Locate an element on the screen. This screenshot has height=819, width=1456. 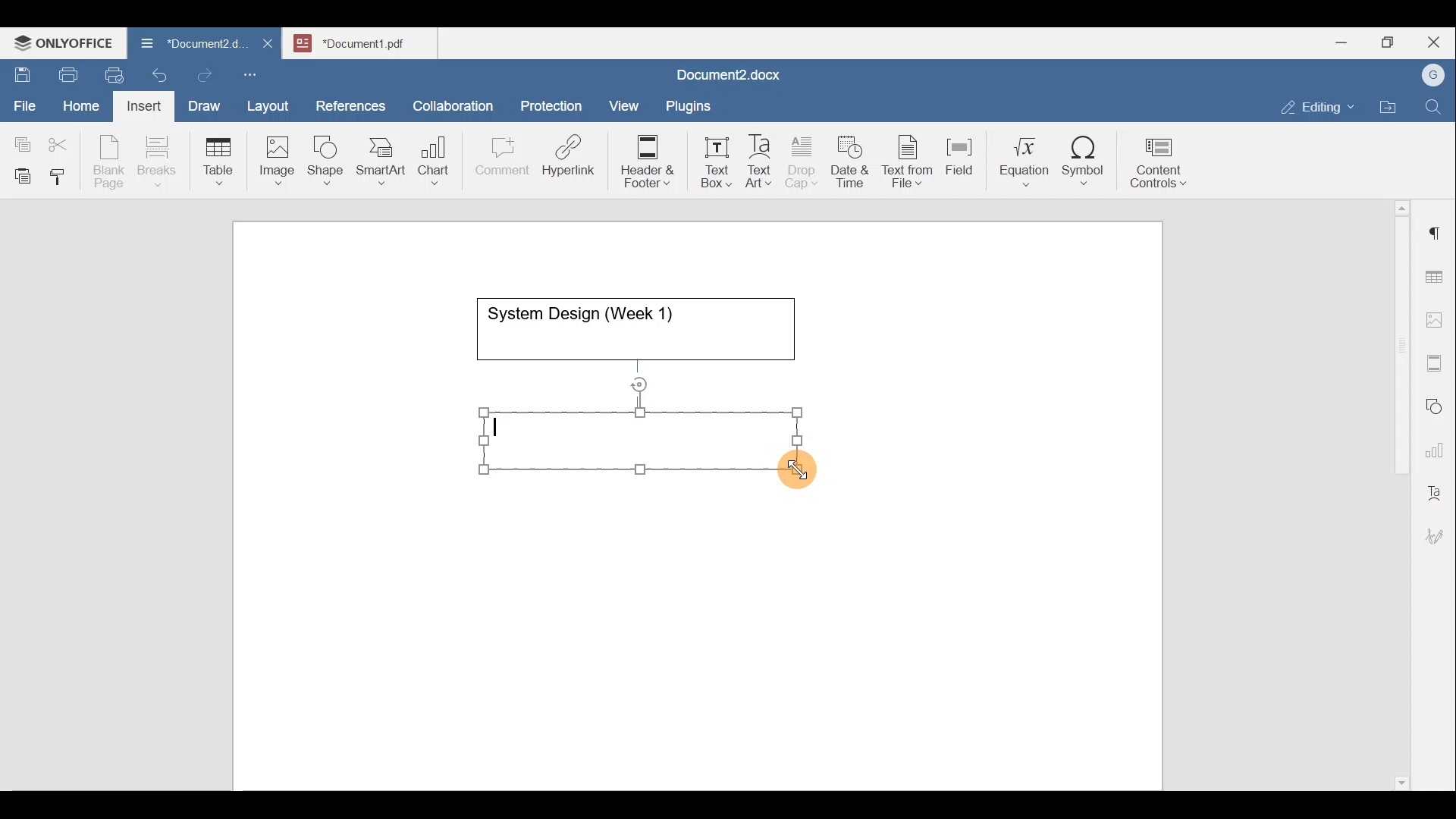
Hyperlink is located at coordinates (573, 160).